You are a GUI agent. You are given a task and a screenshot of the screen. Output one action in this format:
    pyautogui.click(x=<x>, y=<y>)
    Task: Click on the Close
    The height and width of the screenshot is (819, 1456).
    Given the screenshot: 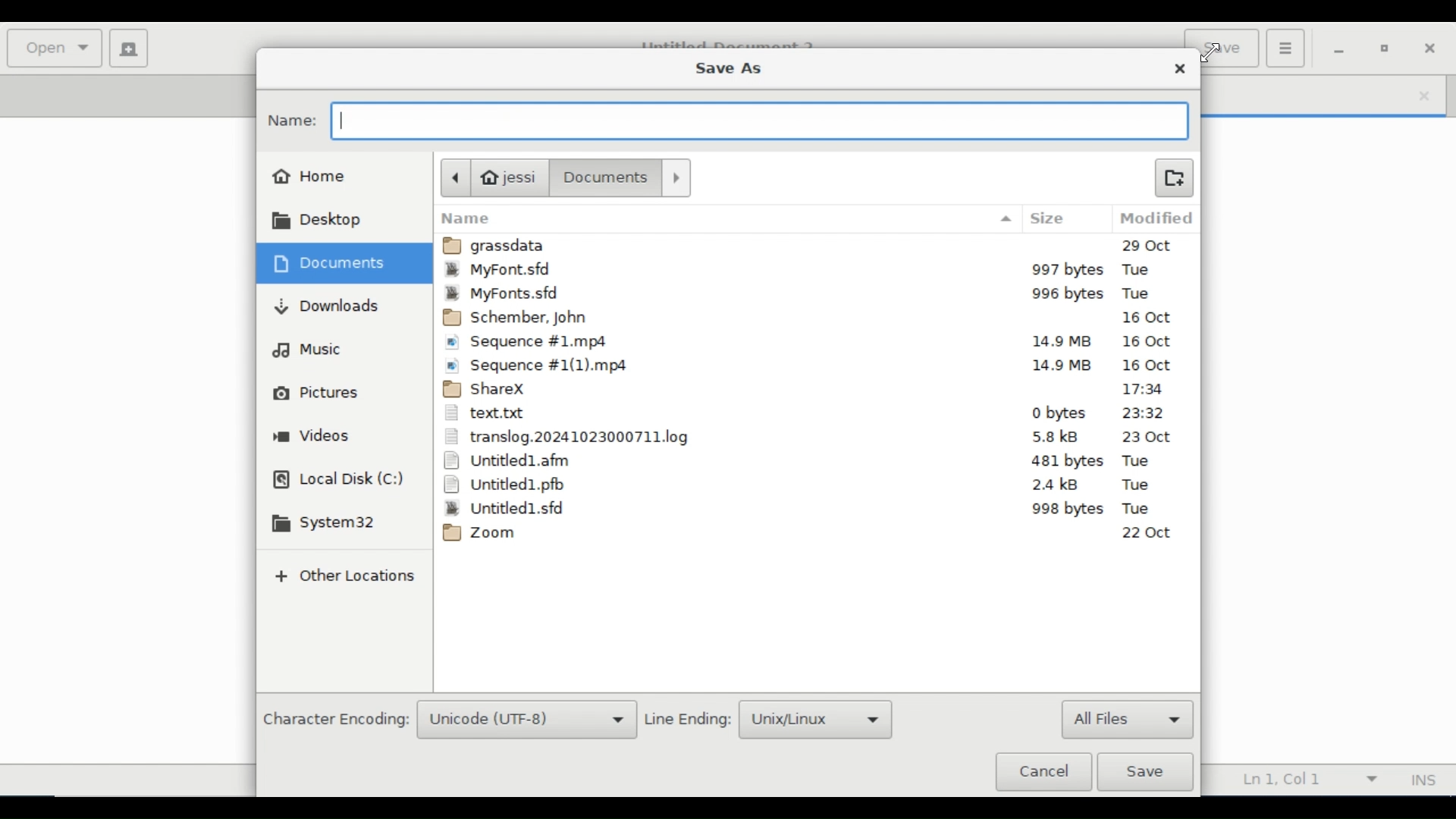 What is the action you would take?
    pyautogui.click(x=1434, y=48)
    